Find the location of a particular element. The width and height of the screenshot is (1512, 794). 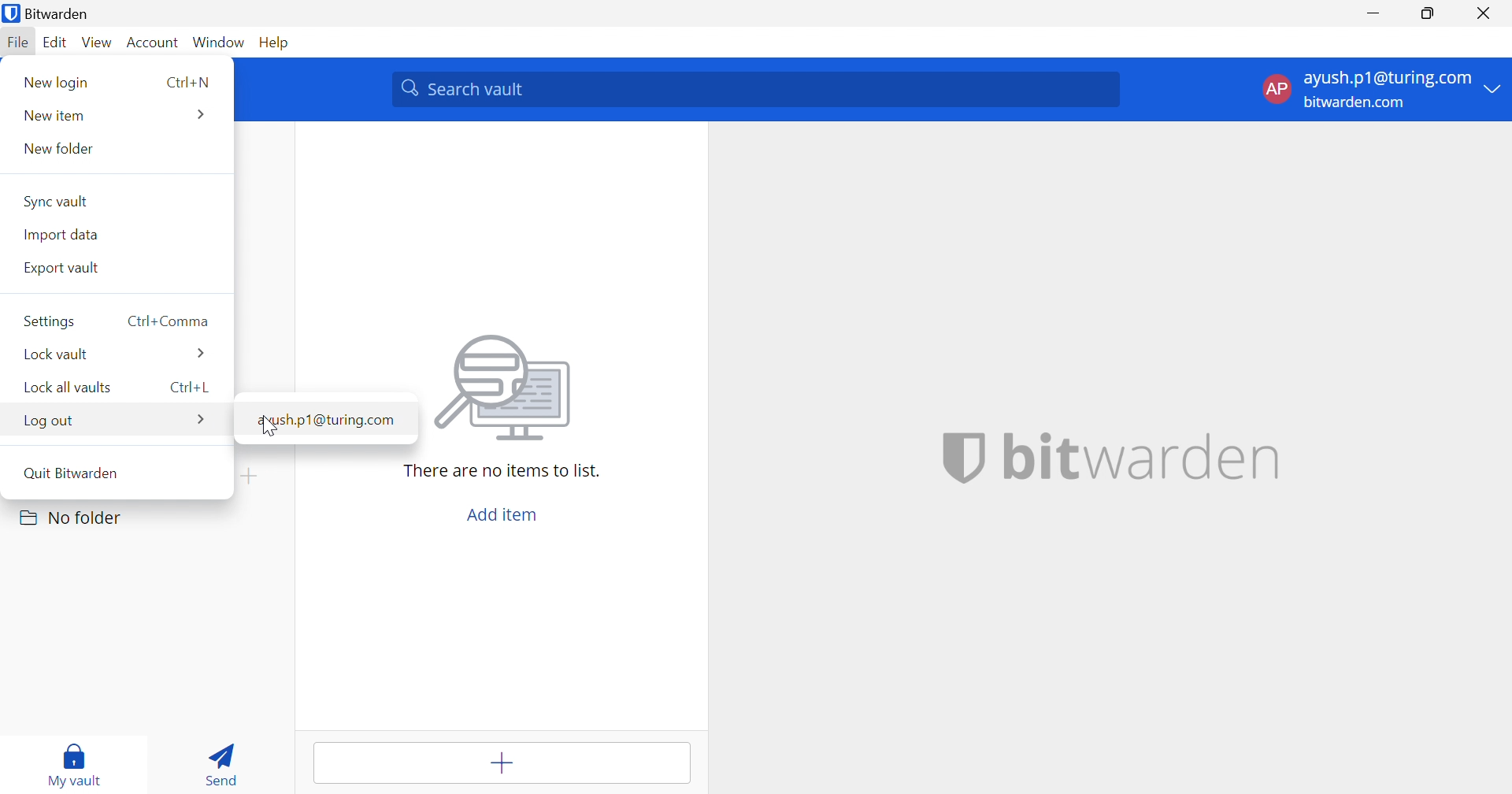

ayush.p1@turing.com is located at coordinates (324, 418).